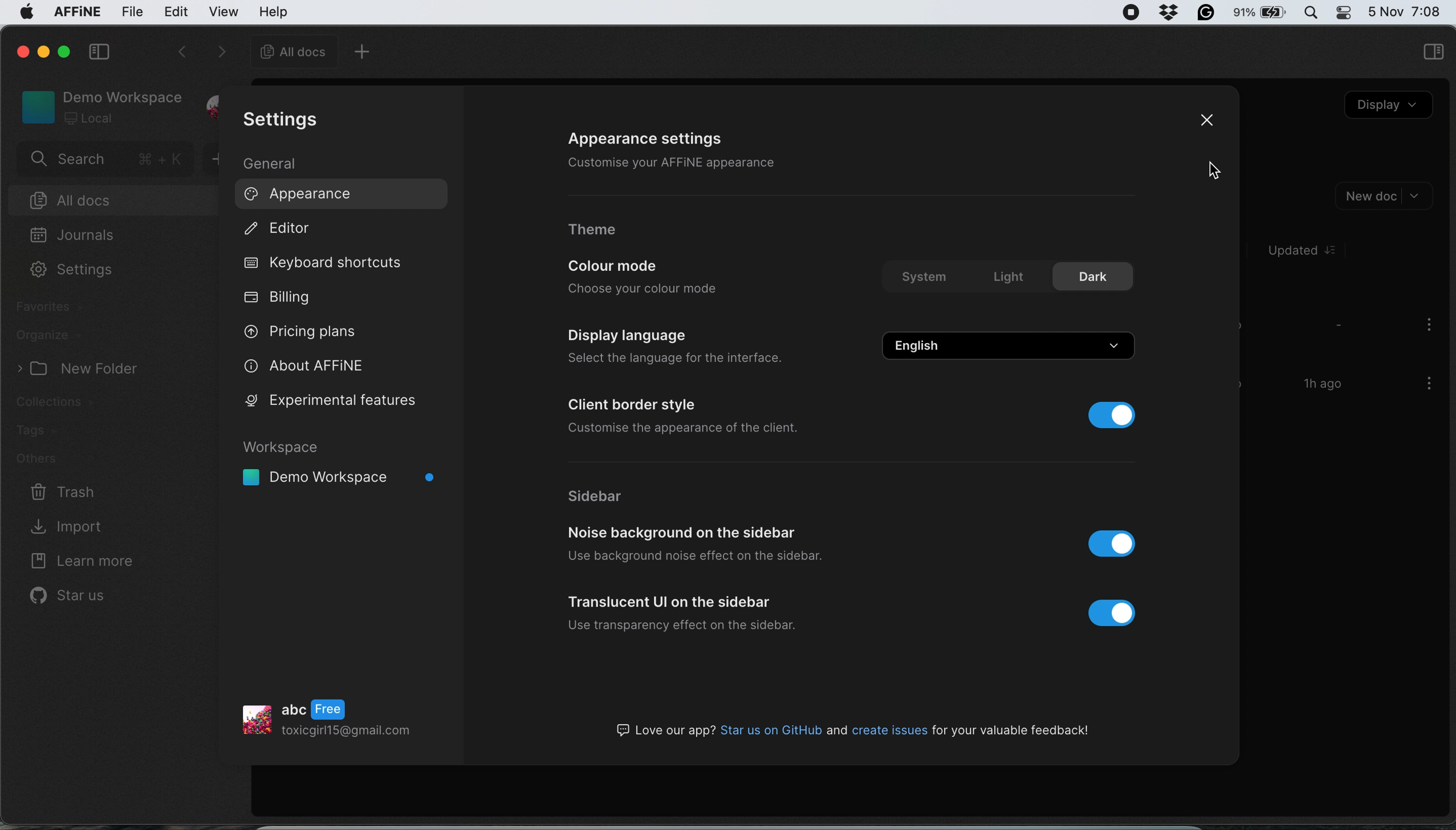 The image size is (1456, 830). Describe the element at coordinates (1170, 14) in the screenshot. I see `dropbox` at that location.